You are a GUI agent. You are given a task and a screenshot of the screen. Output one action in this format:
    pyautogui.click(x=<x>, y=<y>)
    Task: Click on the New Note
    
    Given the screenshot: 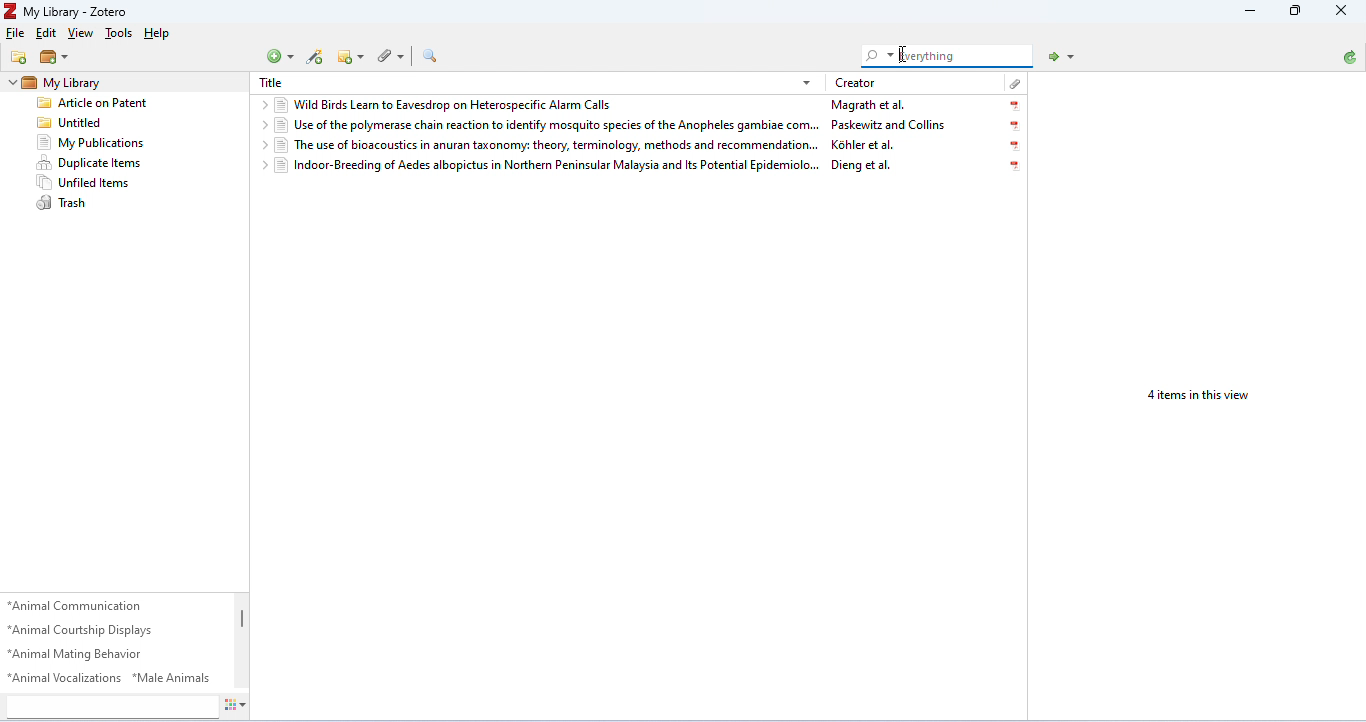 What is the action you would take?
    pyautogui.click(x=350, y=57)
    